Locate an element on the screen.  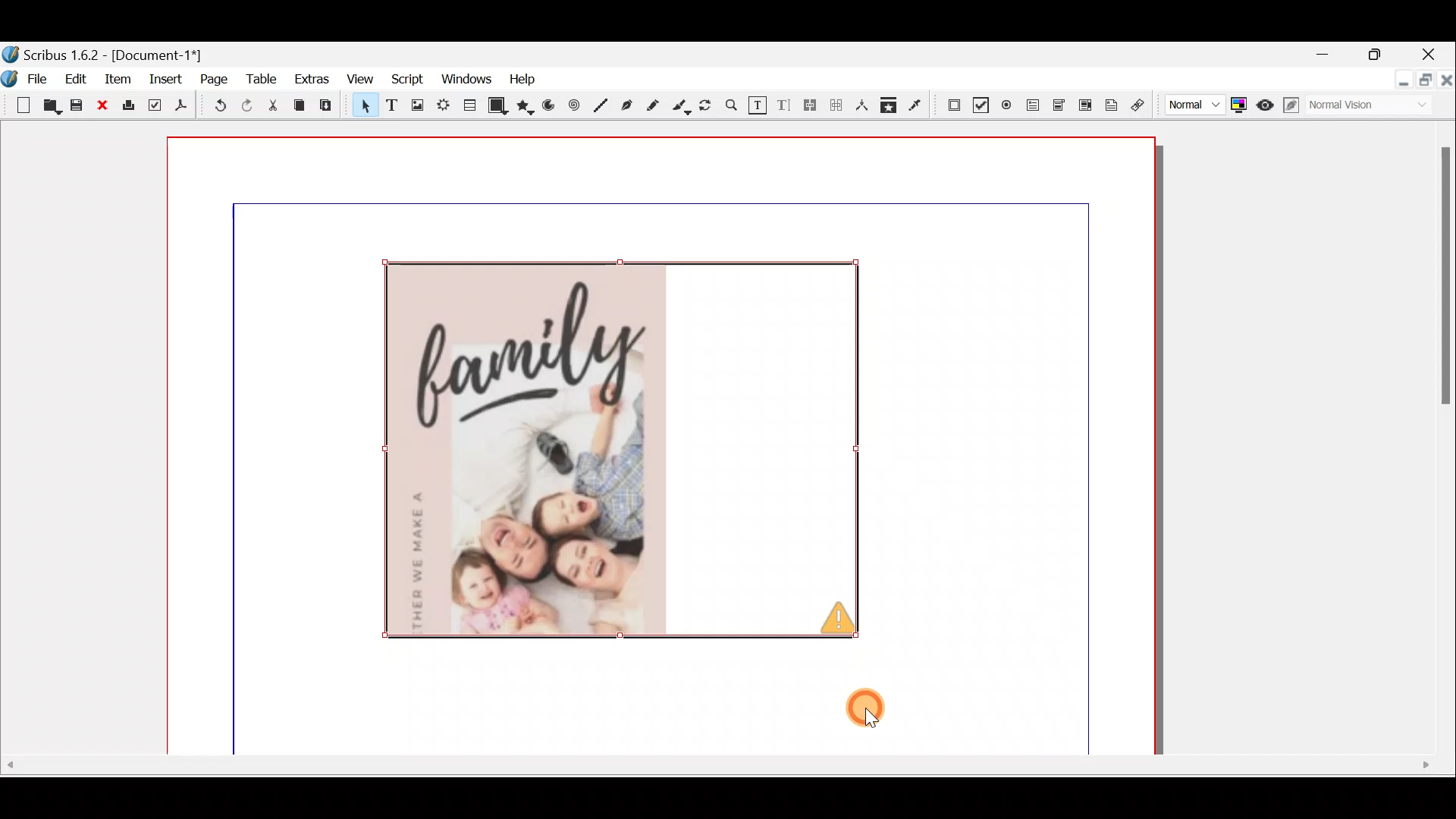
Toggle colour management system is located at coordinates (1238, 102).